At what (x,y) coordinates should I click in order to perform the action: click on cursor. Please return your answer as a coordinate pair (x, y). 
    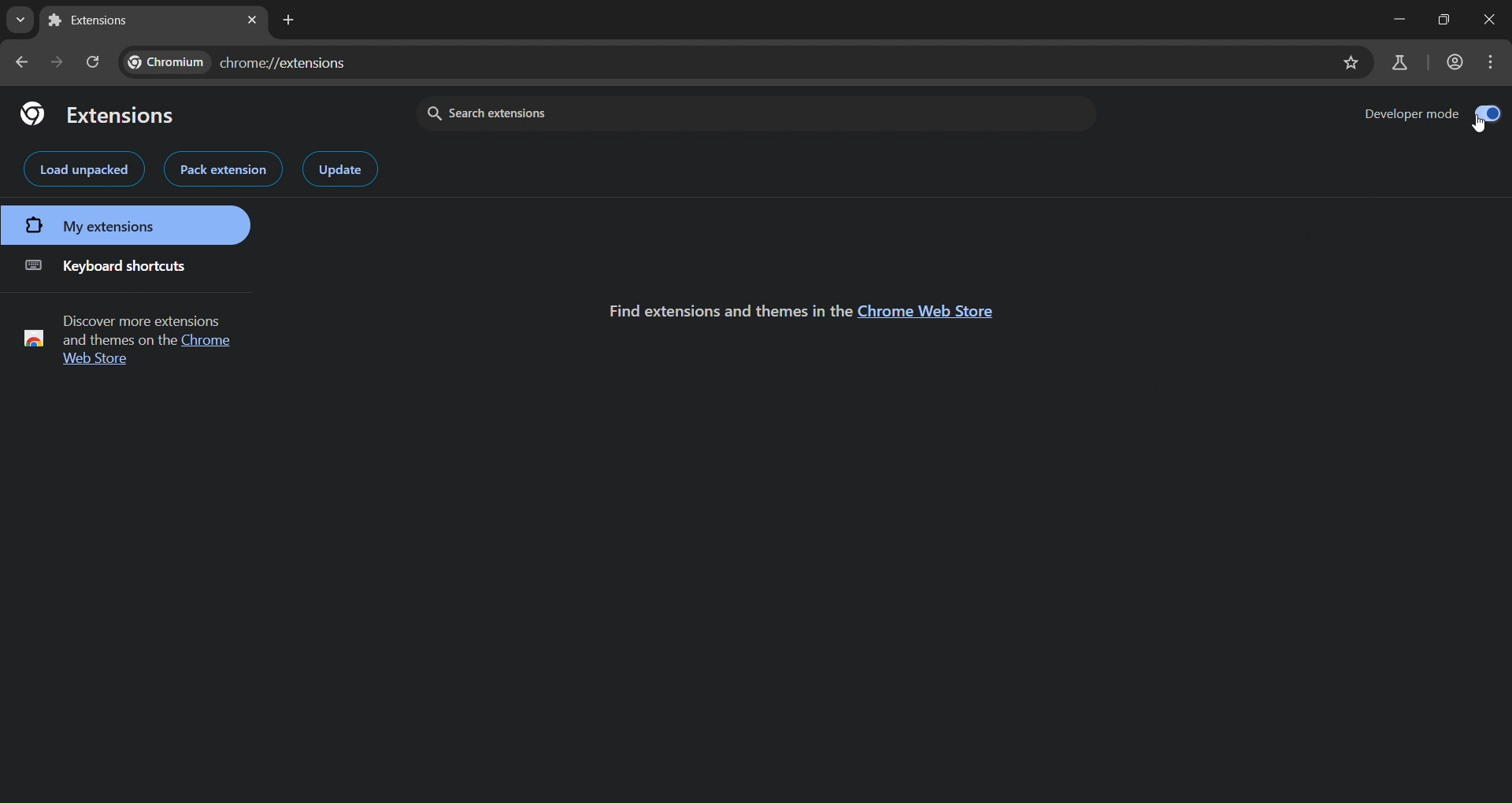
    Looking at the image, I should click on (1477, 128).